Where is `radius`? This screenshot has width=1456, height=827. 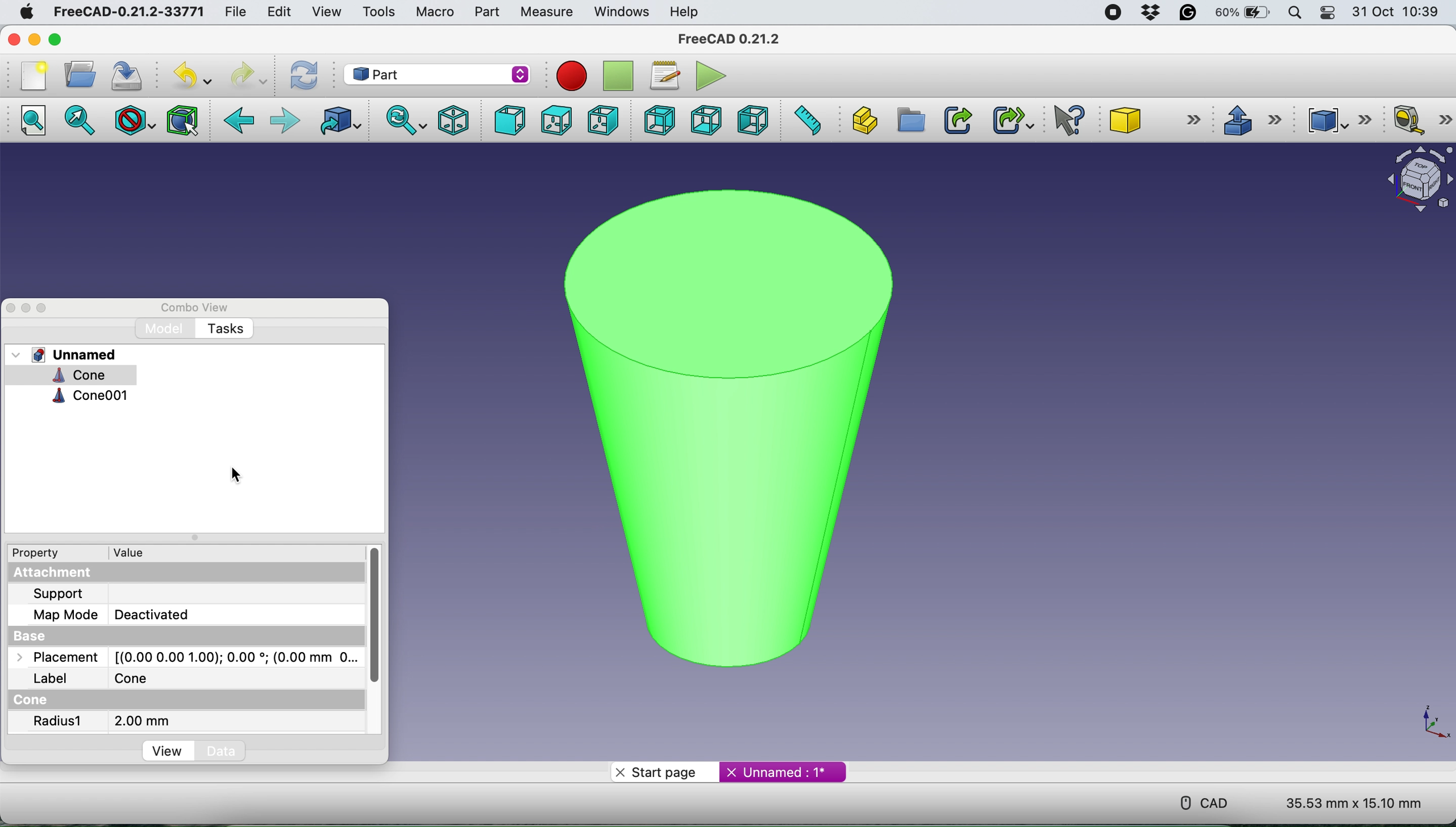
radius is located at coordinates (59, 722).